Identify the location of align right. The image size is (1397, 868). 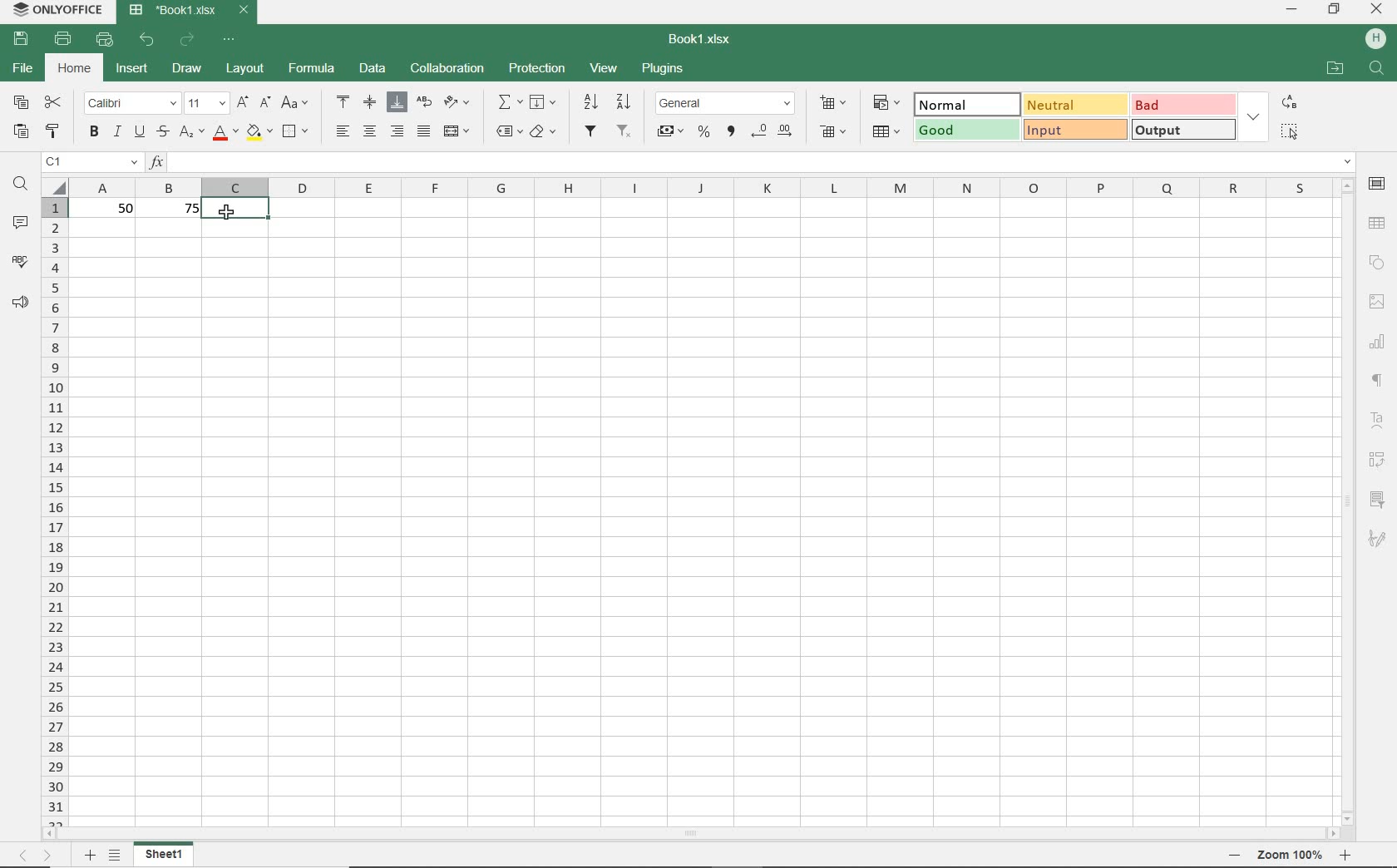
(397, 131).